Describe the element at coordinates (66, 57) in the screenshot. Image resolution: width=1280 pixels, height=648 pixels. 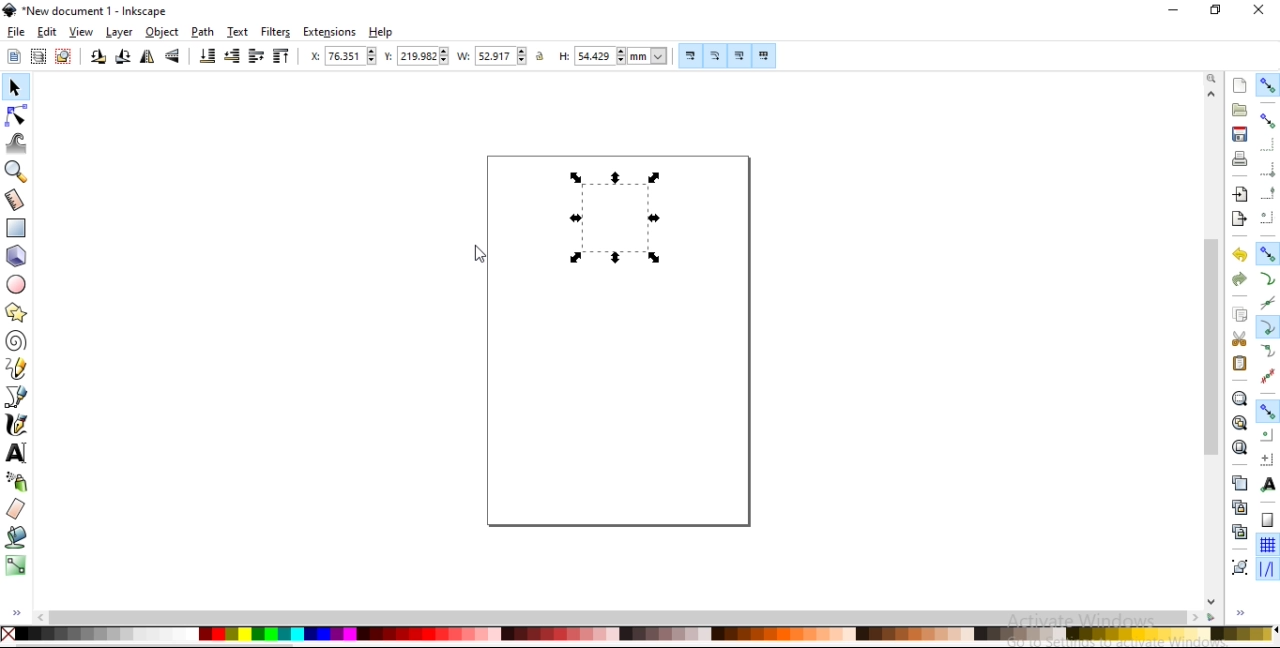
I see `deselect any selected objects` at that location.